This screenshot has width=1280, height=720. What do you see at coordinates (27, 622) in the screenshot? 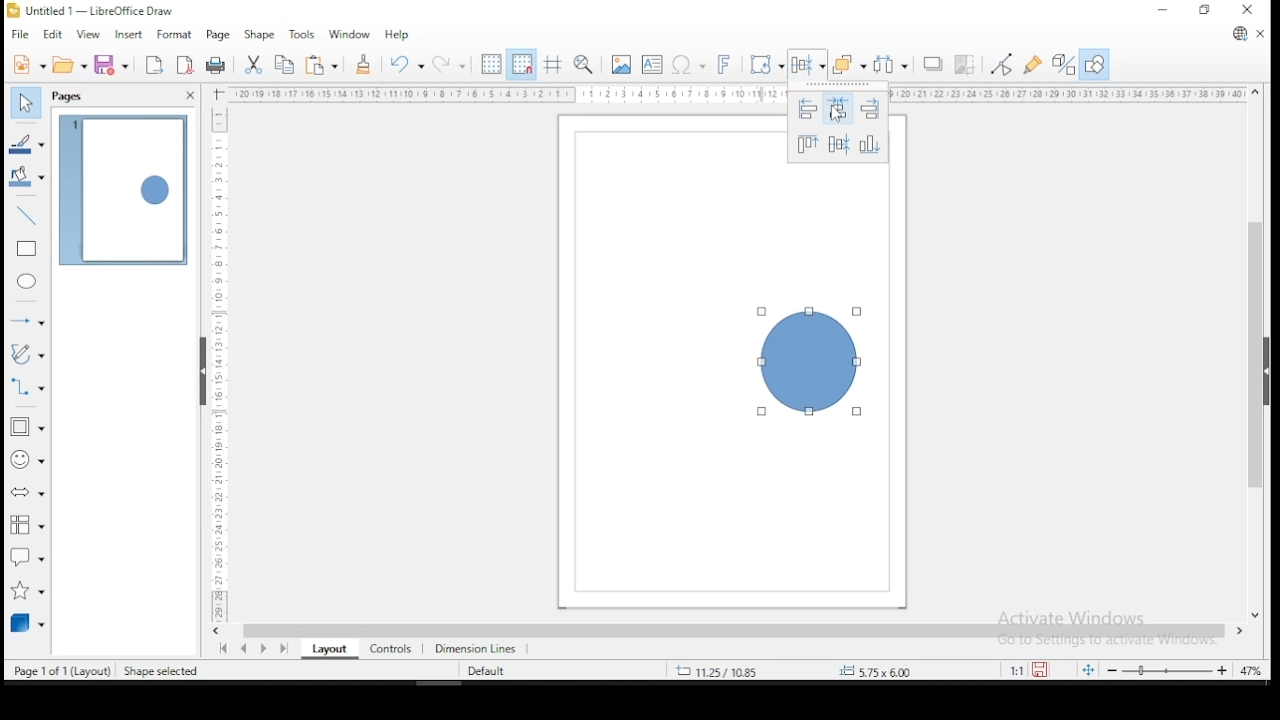
I see `3D objects` at bounding box center [27, 622].